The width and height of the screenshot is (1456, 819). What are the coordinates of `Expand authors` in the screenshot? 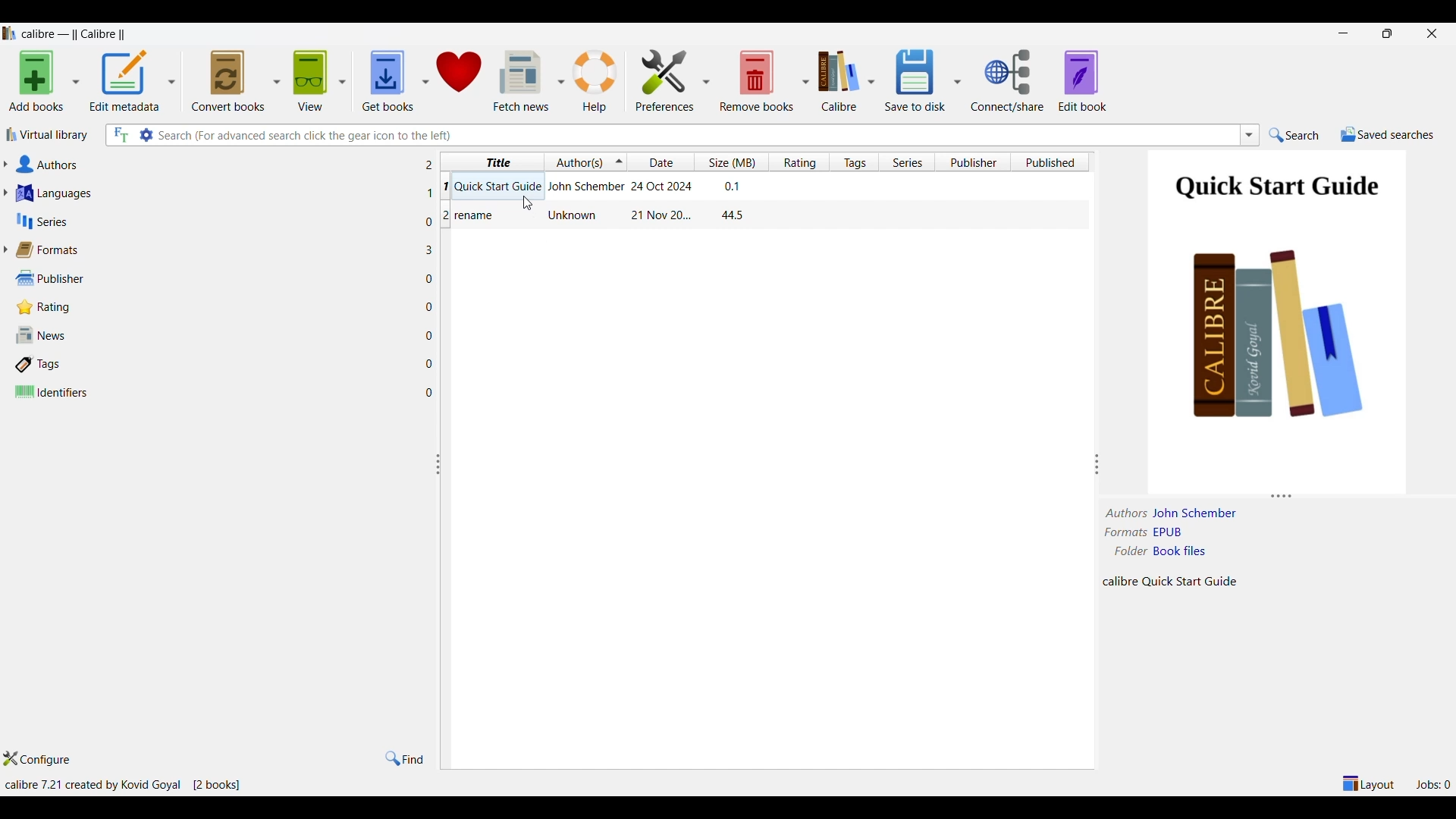 It's located at (5, 164).